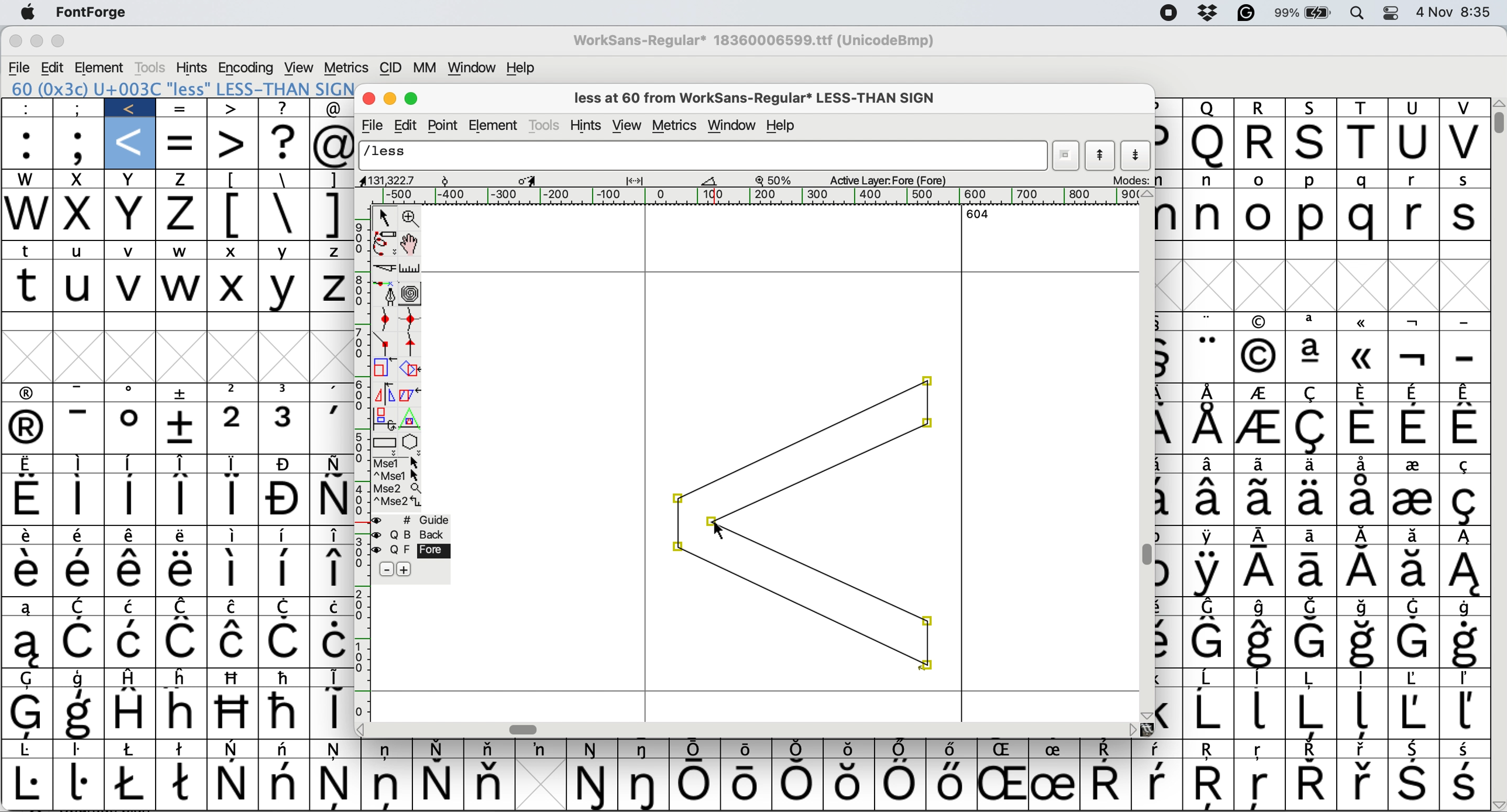 This screenshot has height=812, width=1507. What do you see at coordinates (233, 498) in the screenshot?
I see `Symbol` at bounding box center [233, 498].